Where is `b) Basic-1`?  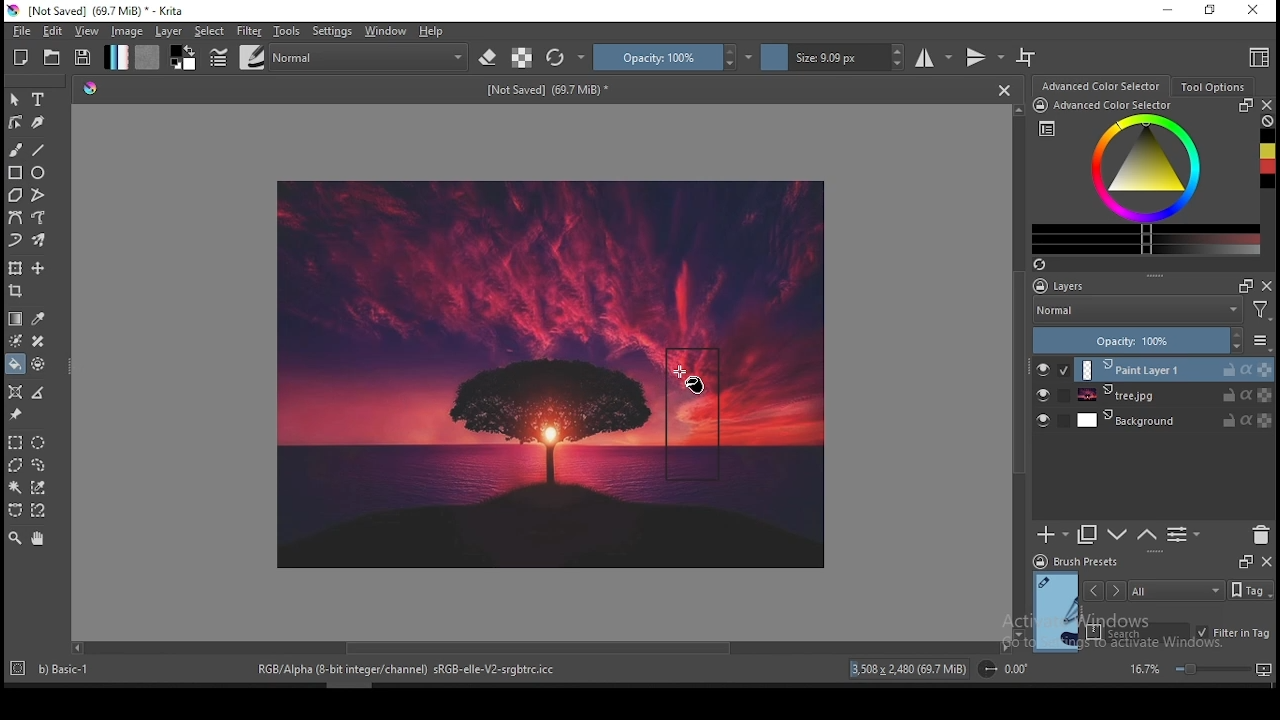 b) Basic-1 is located at coordinates (55, 666).